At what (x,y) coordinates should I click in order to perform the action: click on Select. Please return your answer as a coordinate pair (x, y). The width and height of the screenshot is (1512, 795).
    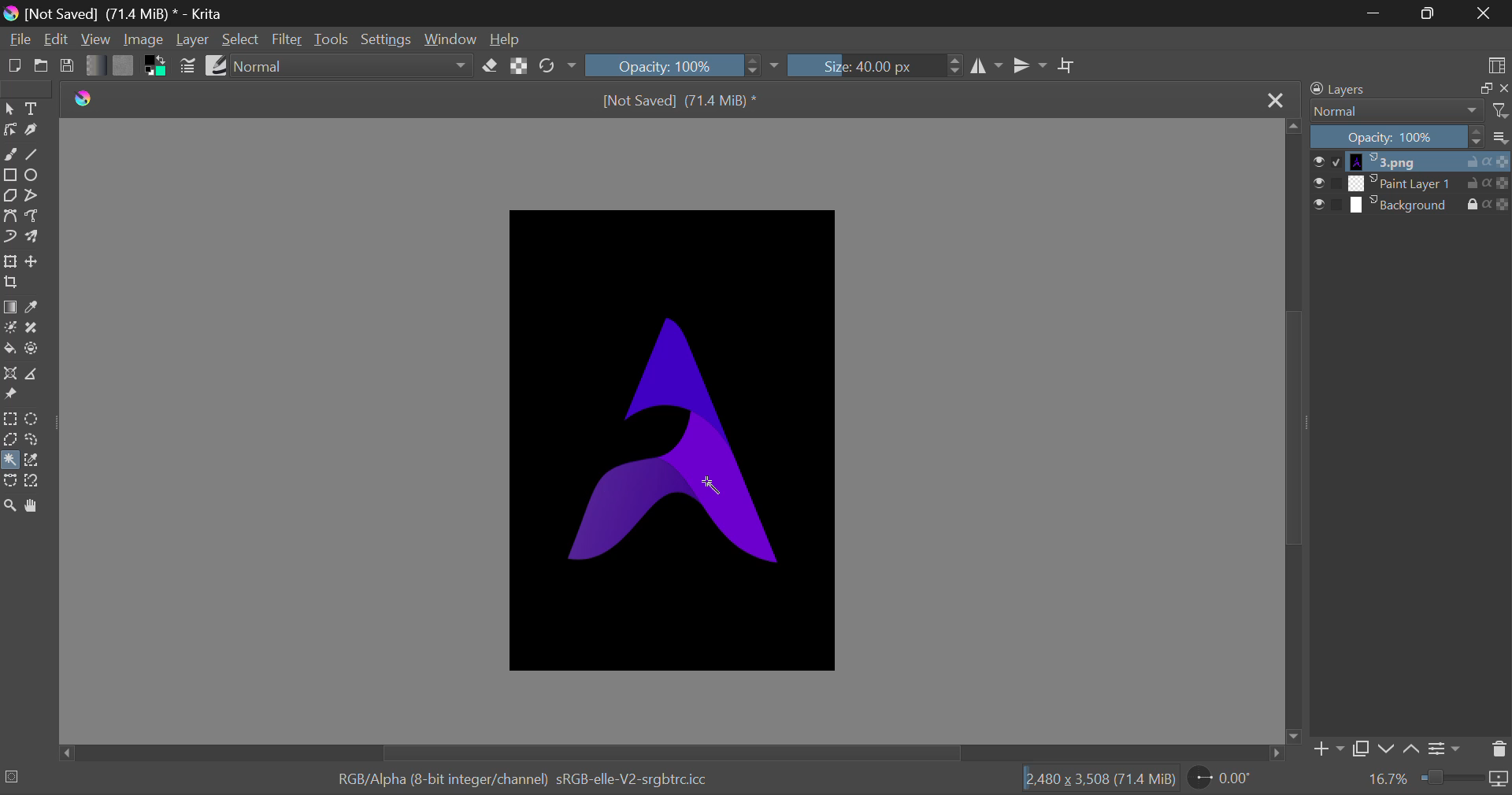
    Looking at the image, I should click on (9, 109).